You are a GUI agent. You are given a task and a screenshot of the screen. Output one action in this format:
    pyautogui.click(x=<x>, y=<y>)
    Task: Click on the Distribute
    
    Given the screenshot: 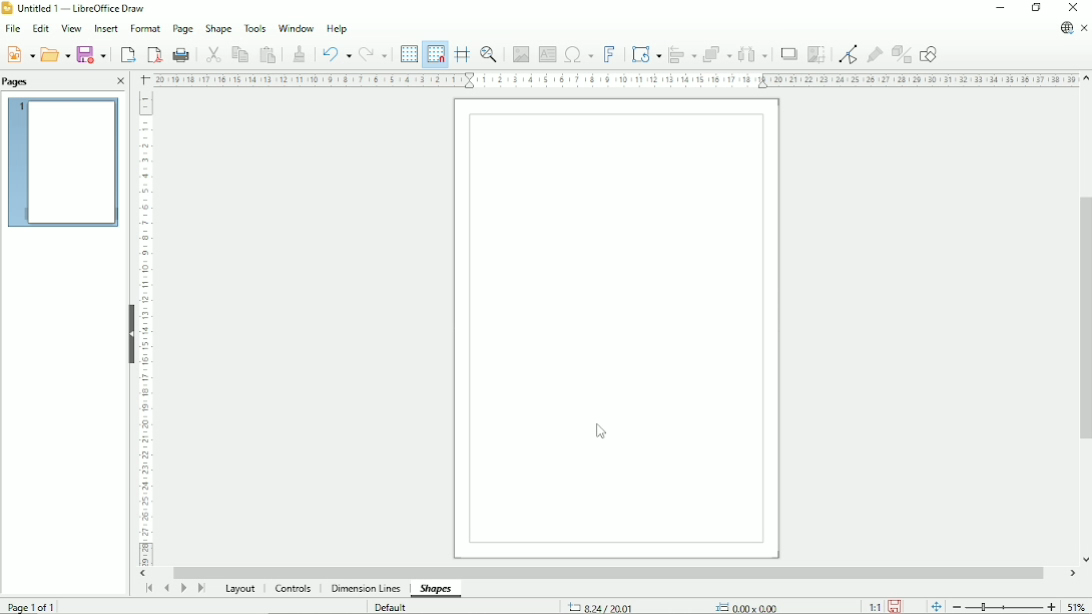 What is the action you would take?
    pyautogui.click(x=753, y=54)
    